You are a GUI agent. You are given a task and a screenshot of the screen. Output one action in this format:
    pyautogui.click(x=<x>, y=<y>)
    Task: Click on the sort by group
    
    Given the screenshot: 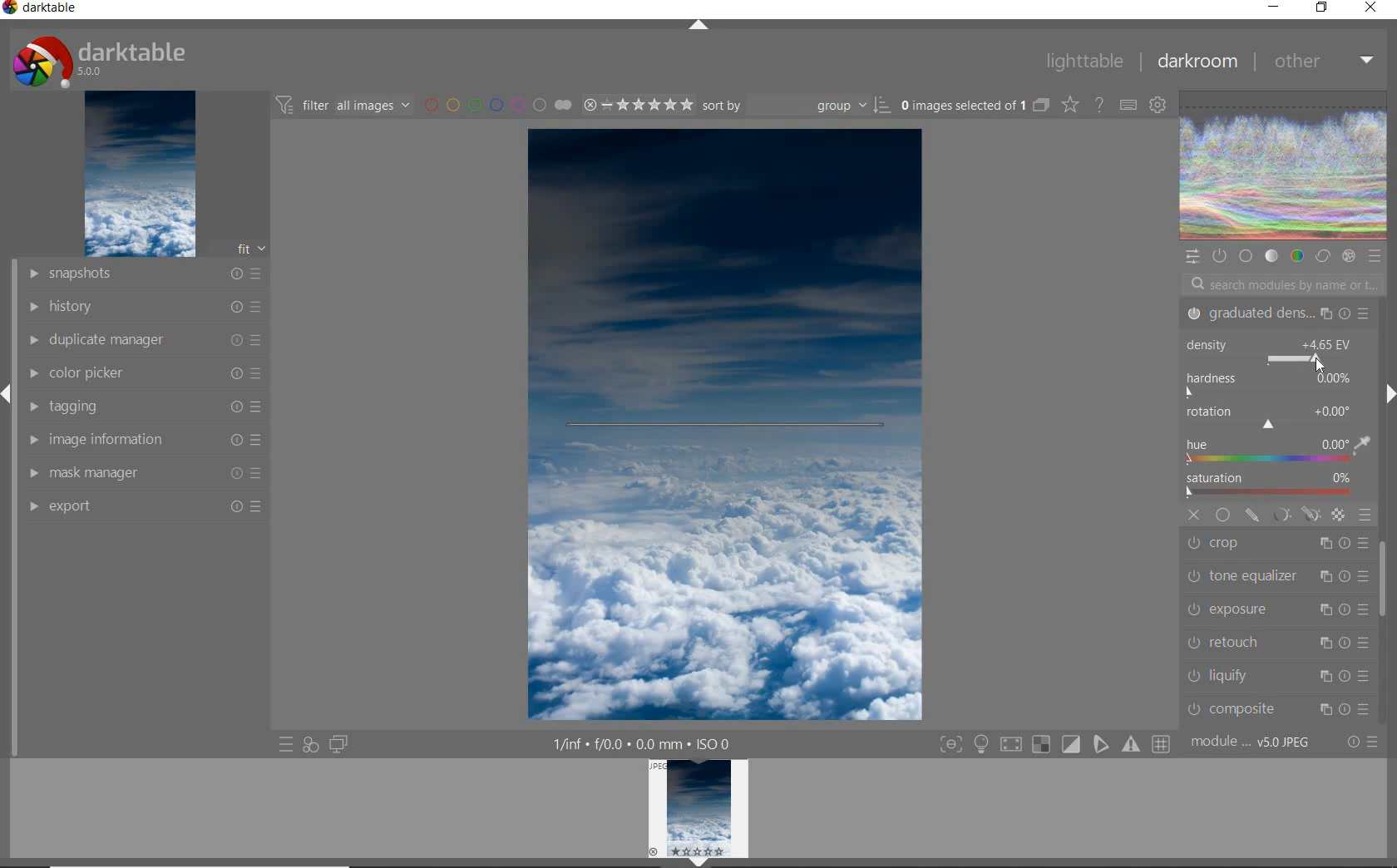 What is the action you would take?
    pyautogui.click(x=794, y=106)
    